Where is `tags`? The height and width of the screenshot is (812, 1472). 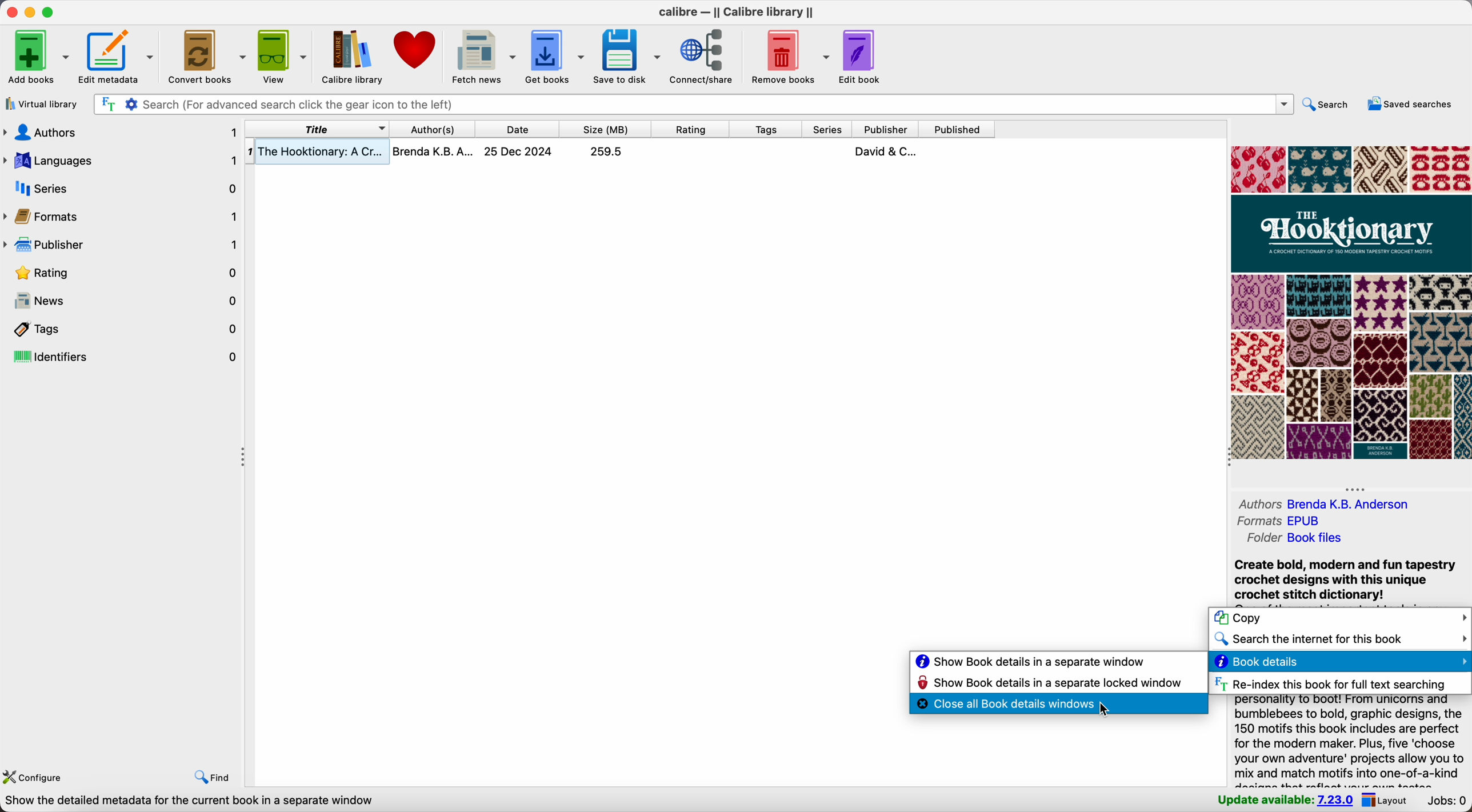
tags is located at coordinates (763, 129).